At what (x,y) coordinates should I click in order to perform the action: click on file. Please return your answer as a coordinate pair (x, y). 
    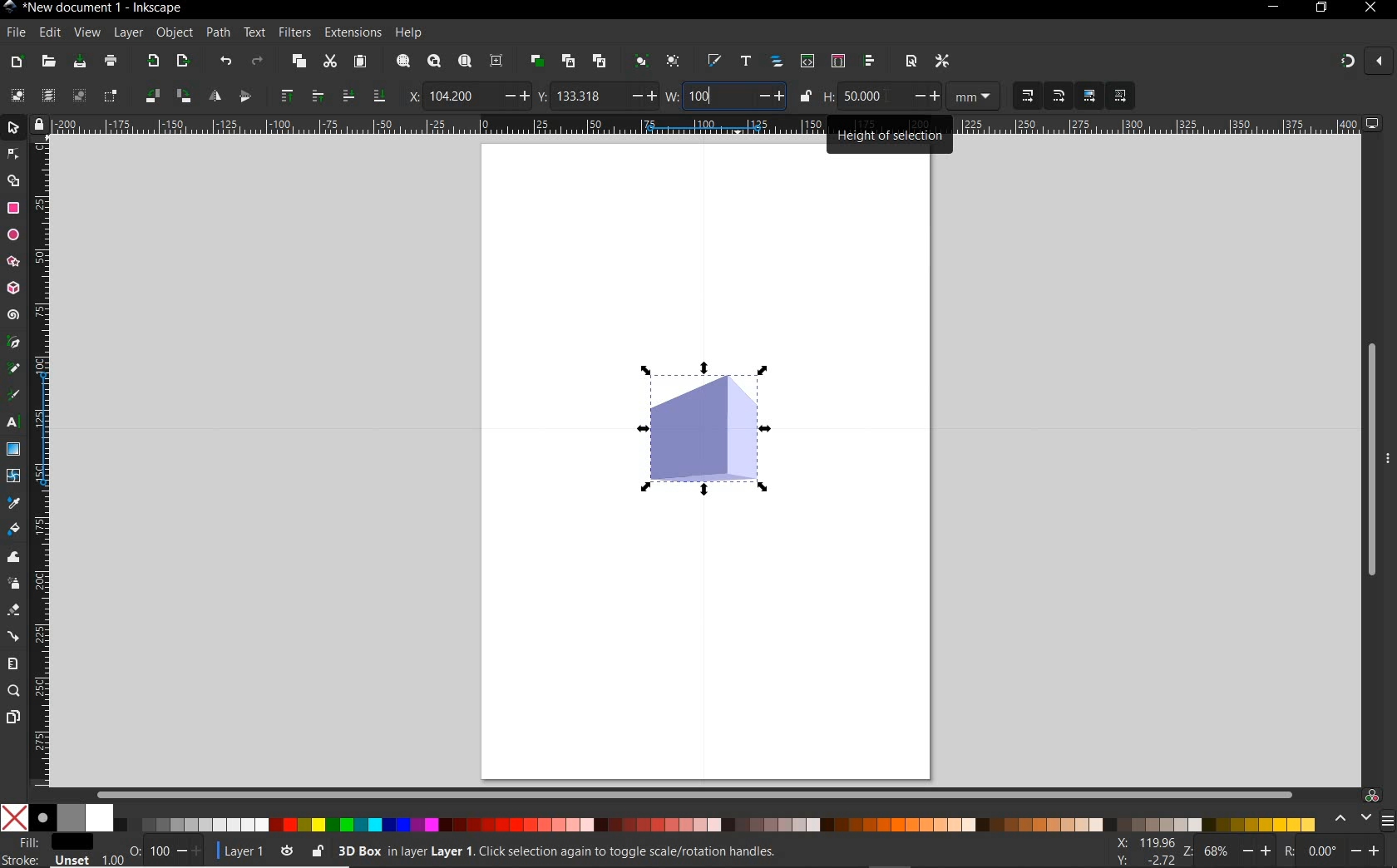
    Looking at the image, I should click on (16, 33).